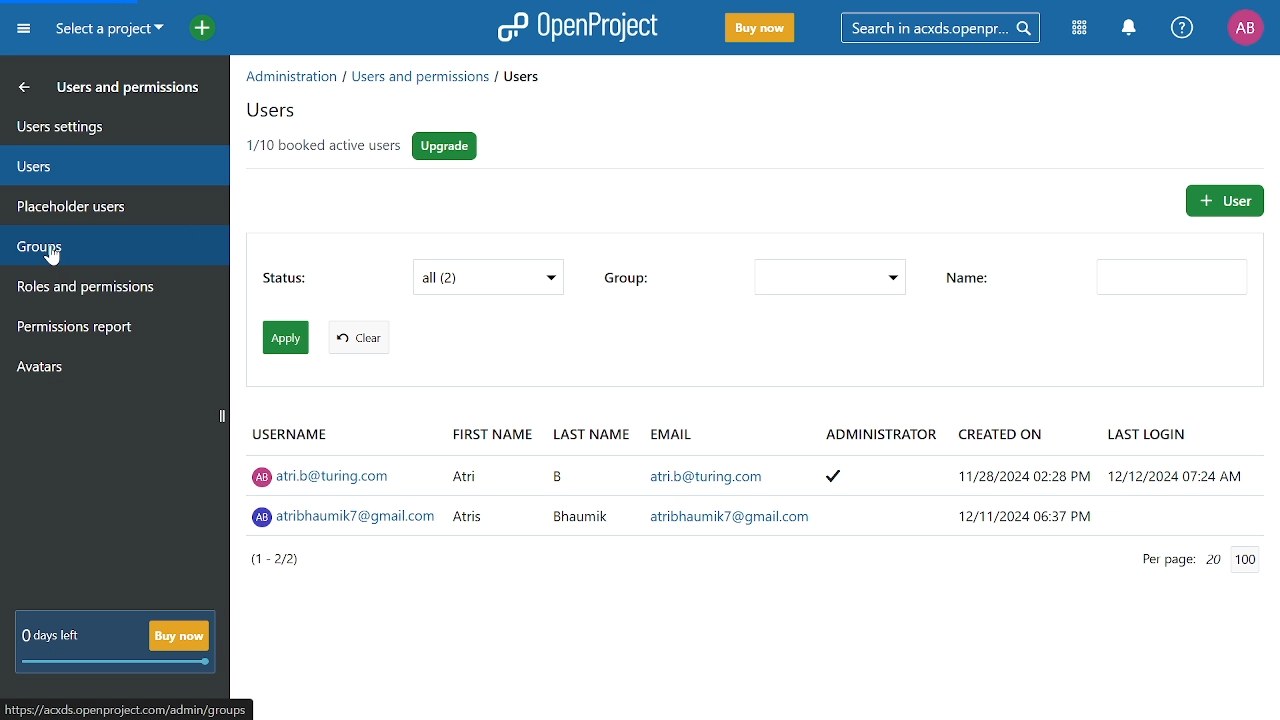 This screenshot has width=1280, height=720. I want to click on email, so click(671, 434).